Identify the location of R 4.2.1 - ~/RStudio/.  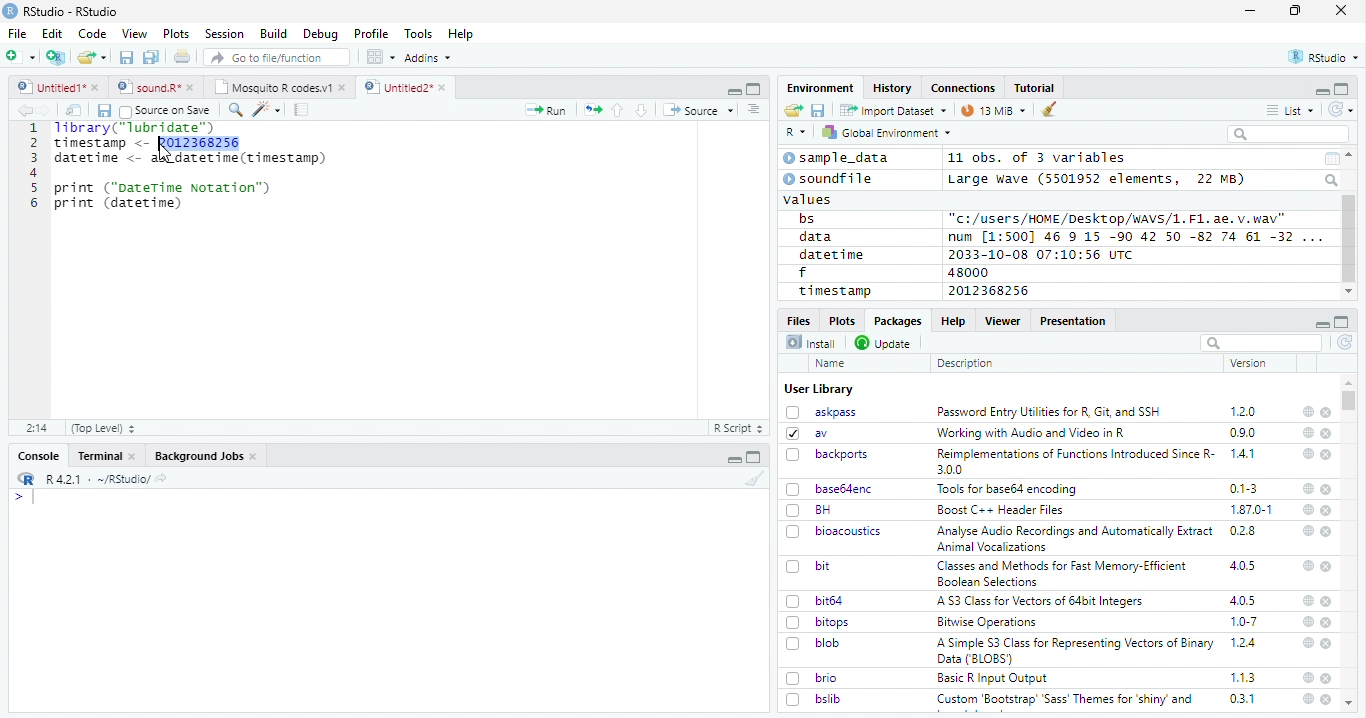
(95, 479).